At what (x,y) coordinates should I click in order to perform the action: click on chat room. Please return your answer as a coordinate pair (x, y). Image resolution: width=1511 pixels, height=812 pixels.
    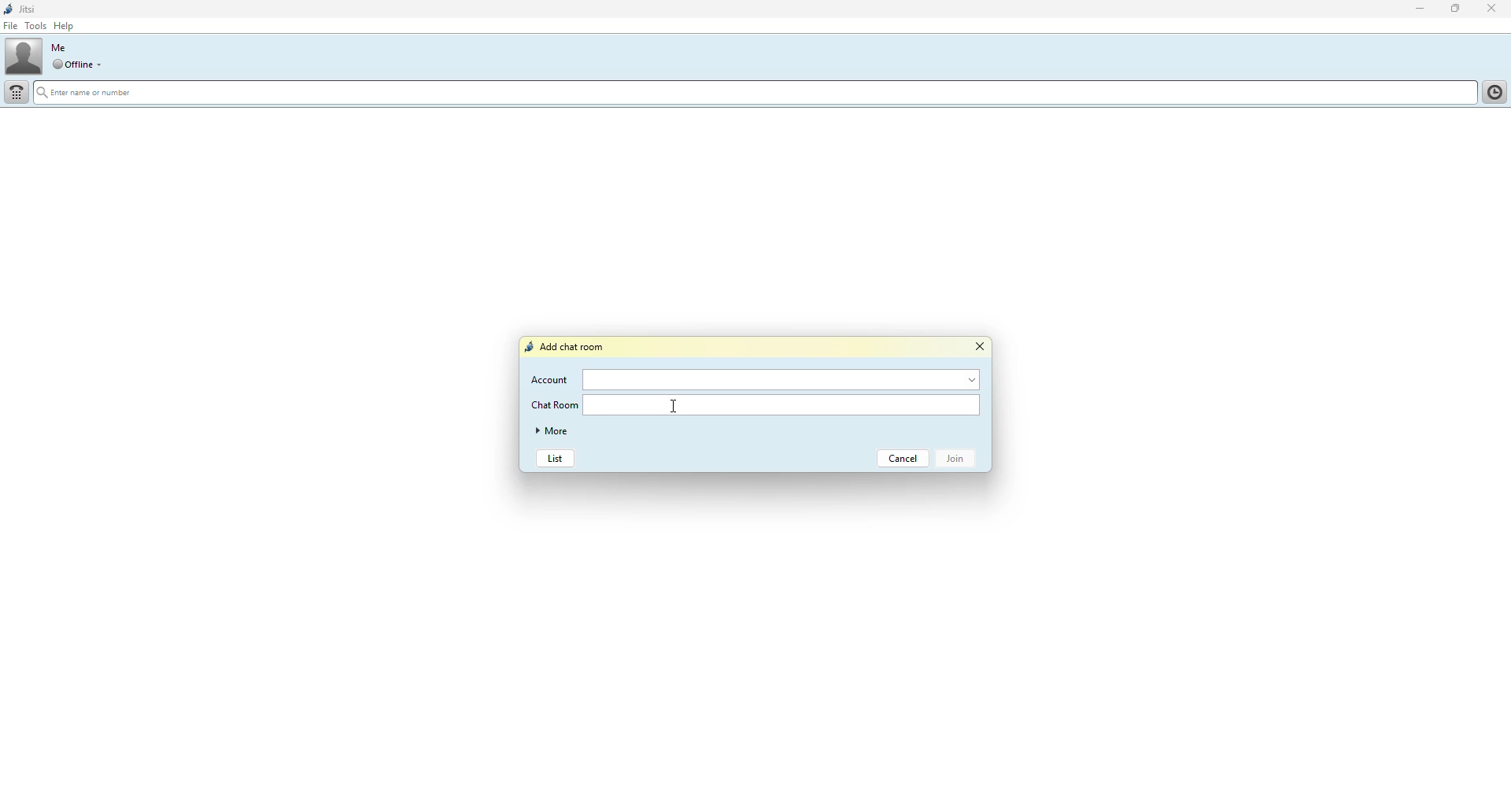
    Looking at the image, I should click on (786, 407).